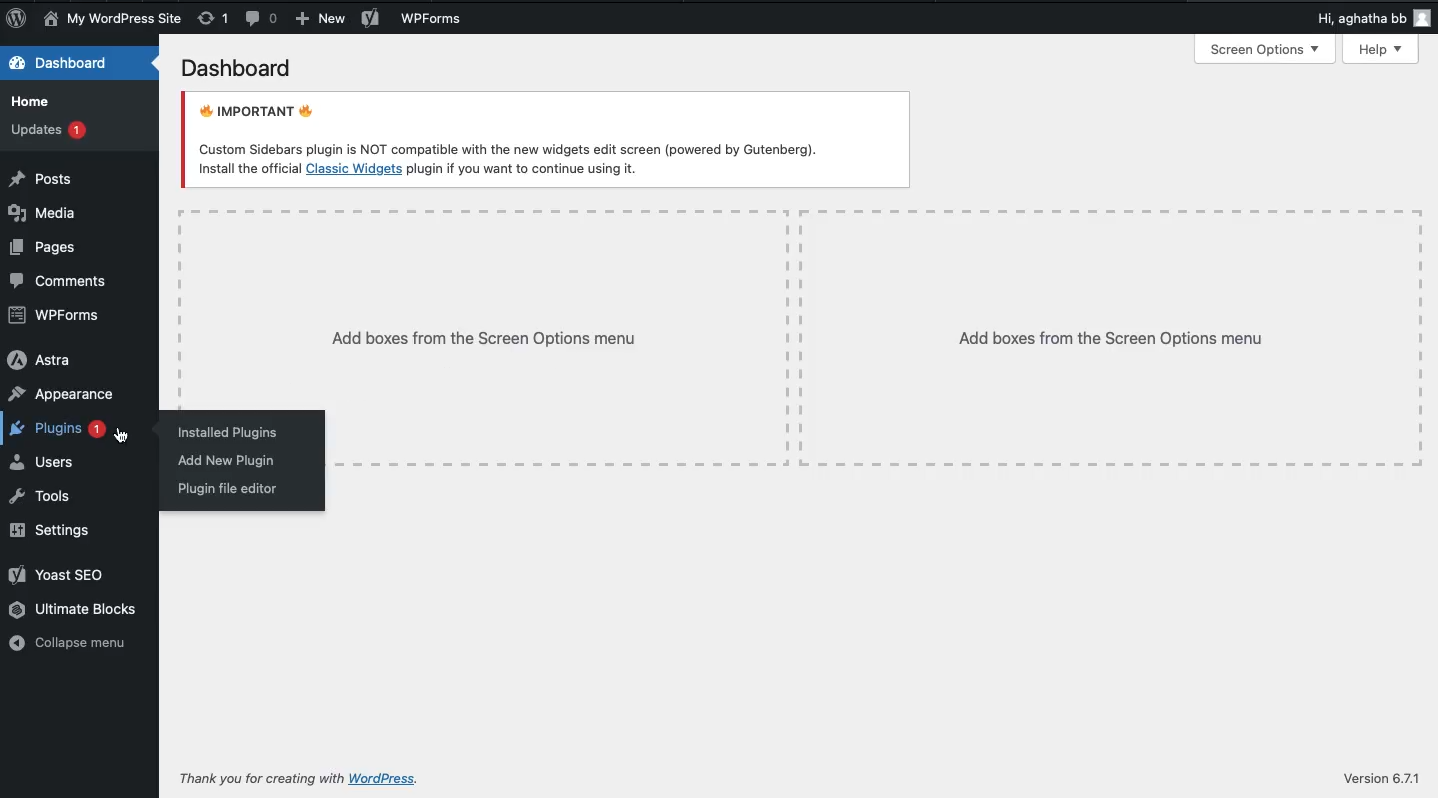 The width and height of the screenshot is (1438, 798). What do you see at coordinates (45, 462) in the screenshot?
I see `Users` at bounding box center [45, 462].